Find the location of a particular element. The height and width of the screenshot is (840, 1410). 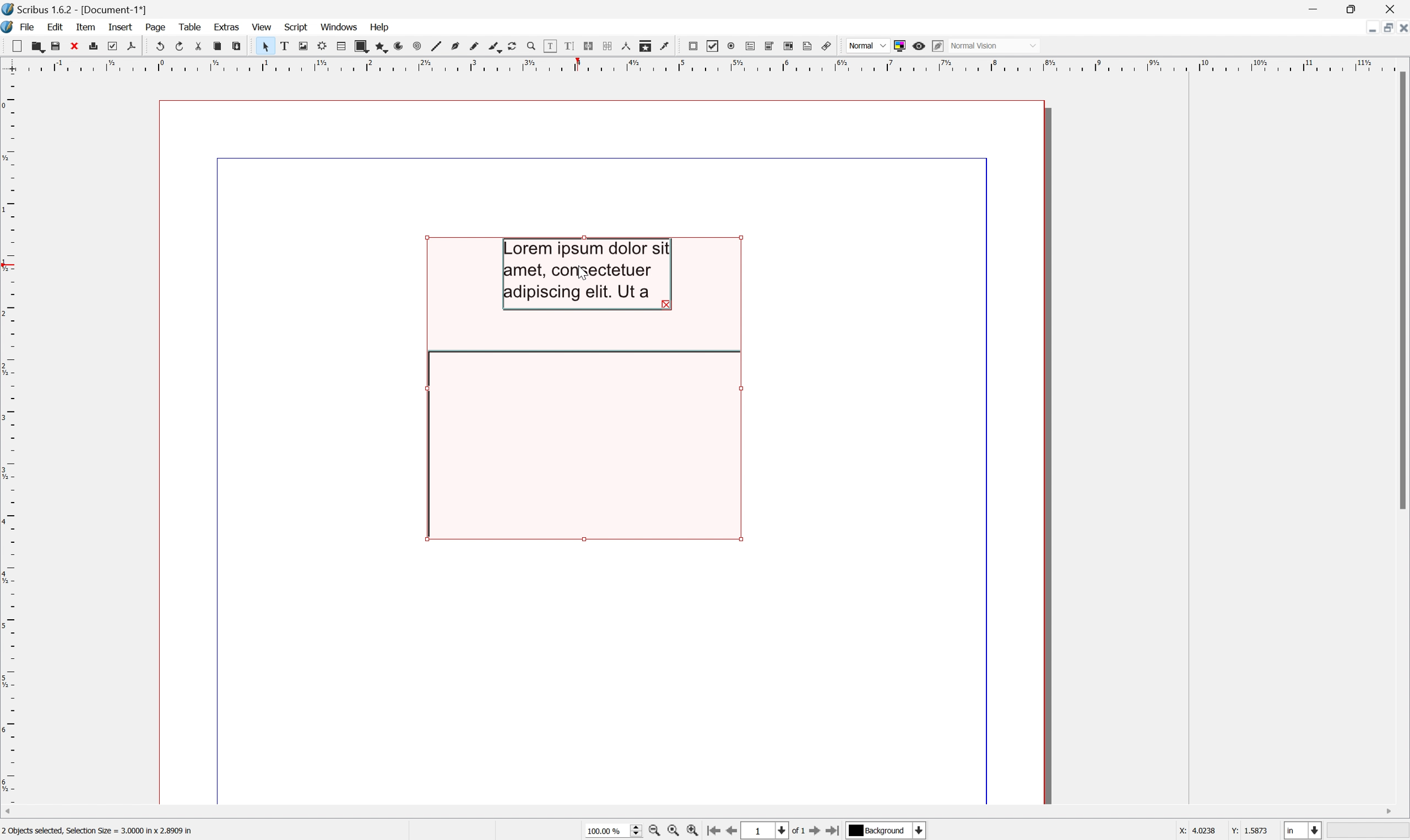

Cut is located at coordinates (198, 44).